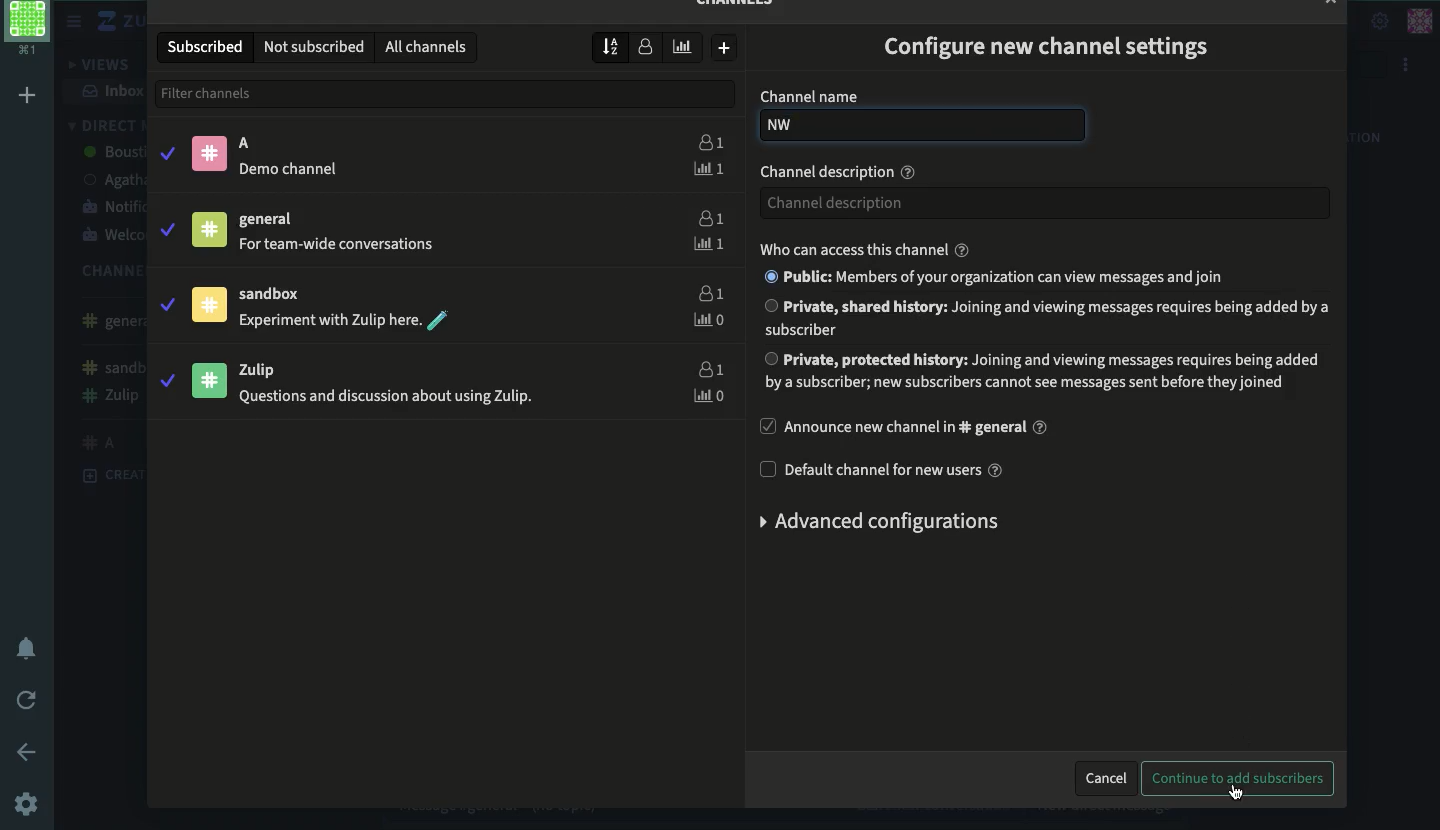 Image resolution: width=1440 pixels, height=830 pixels. What do you see at coordinates (390, 397) in the screenshot?
I see `Questions and discussion about using Zulip.` at bounding box center [390, 397].